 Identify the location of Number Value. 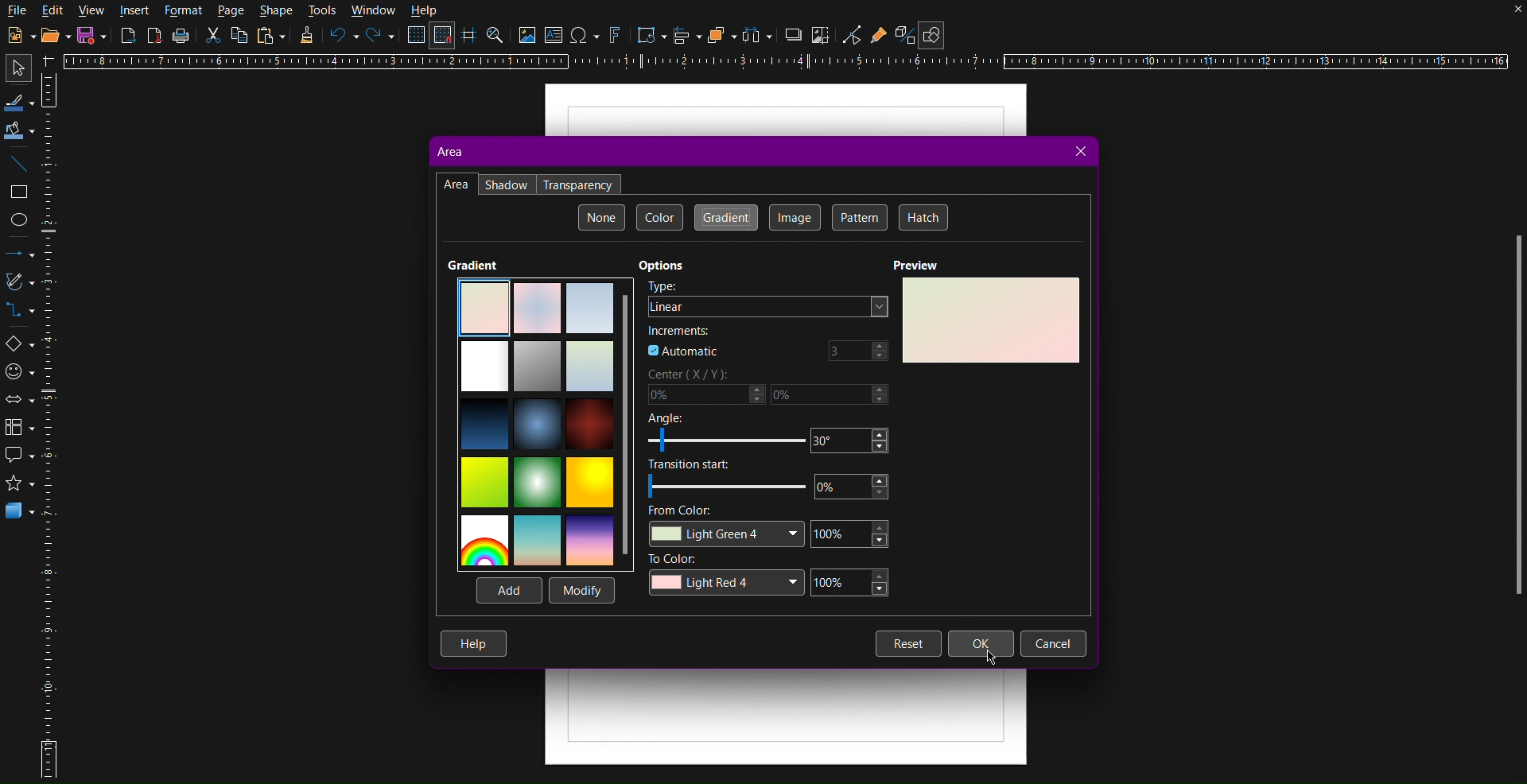
(859, 351).